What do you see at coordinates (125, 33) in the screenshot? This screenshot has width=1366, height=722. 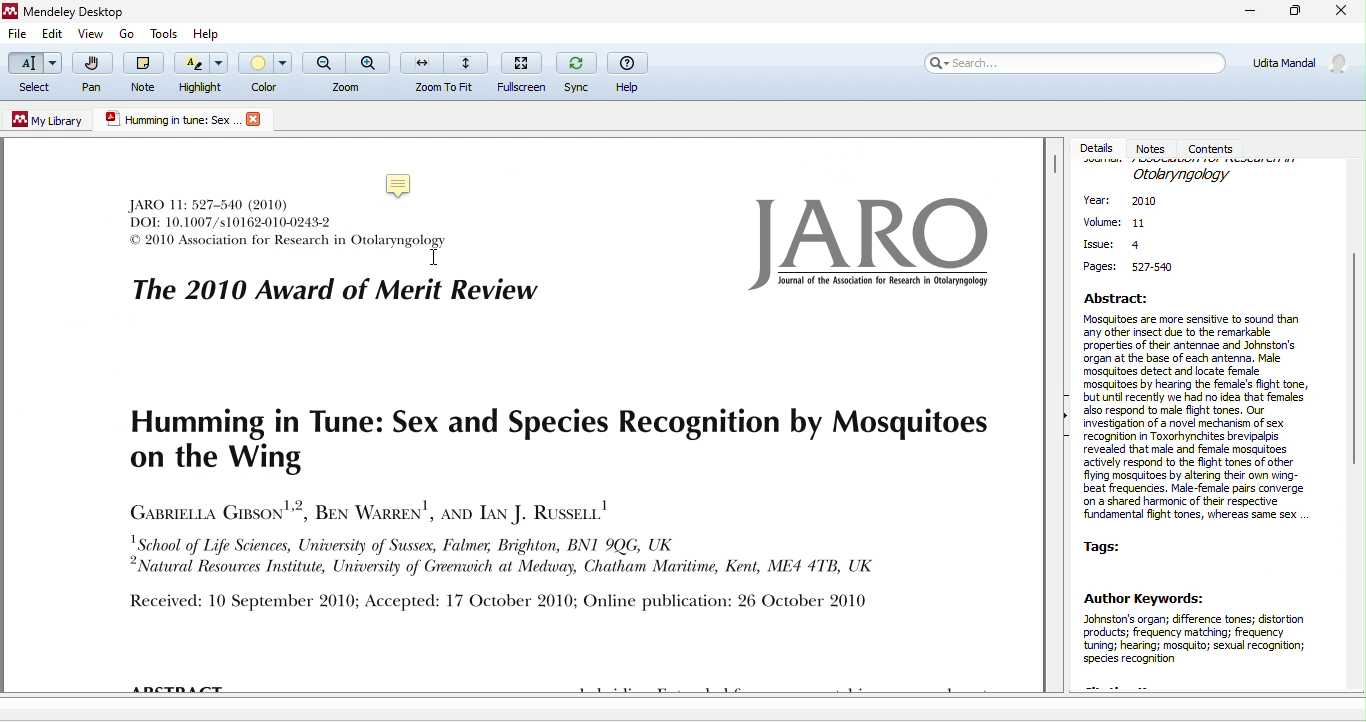 I see `go` at bounding box center [125, 33].